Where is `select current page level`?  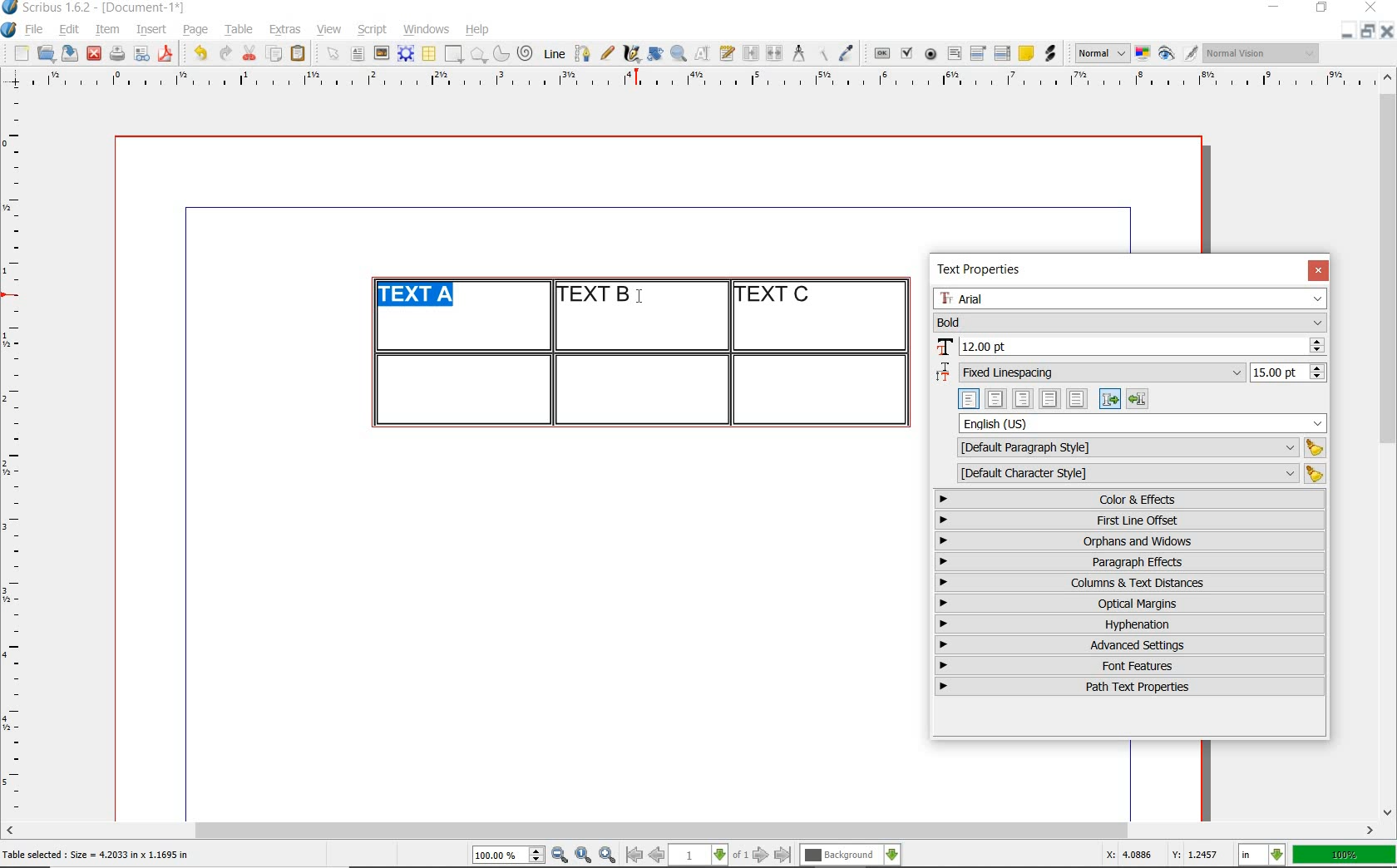
select current page level is located at coordinates (708, 855).